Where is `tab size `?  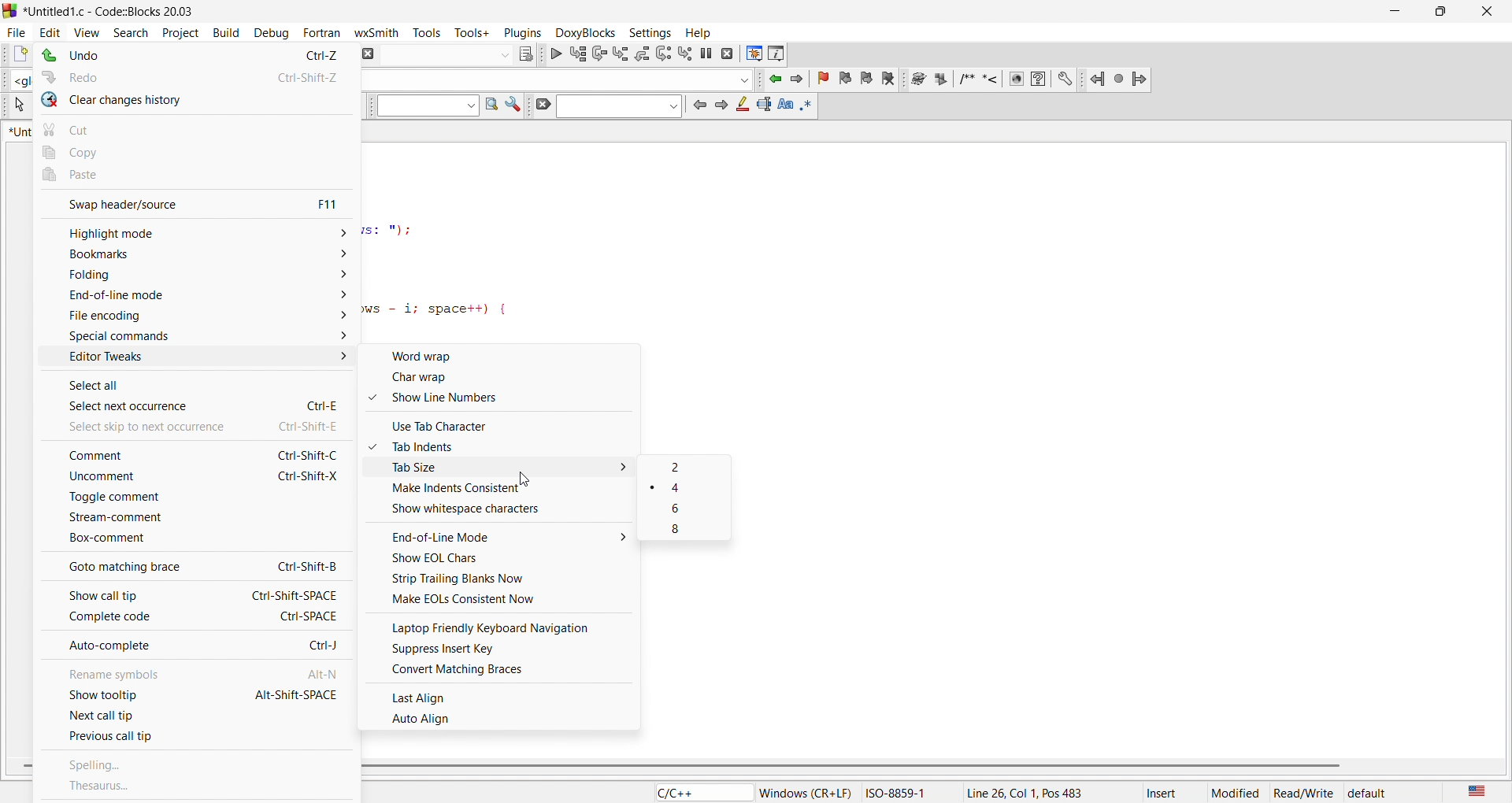 tab size  is located at coordinates (512, 469).